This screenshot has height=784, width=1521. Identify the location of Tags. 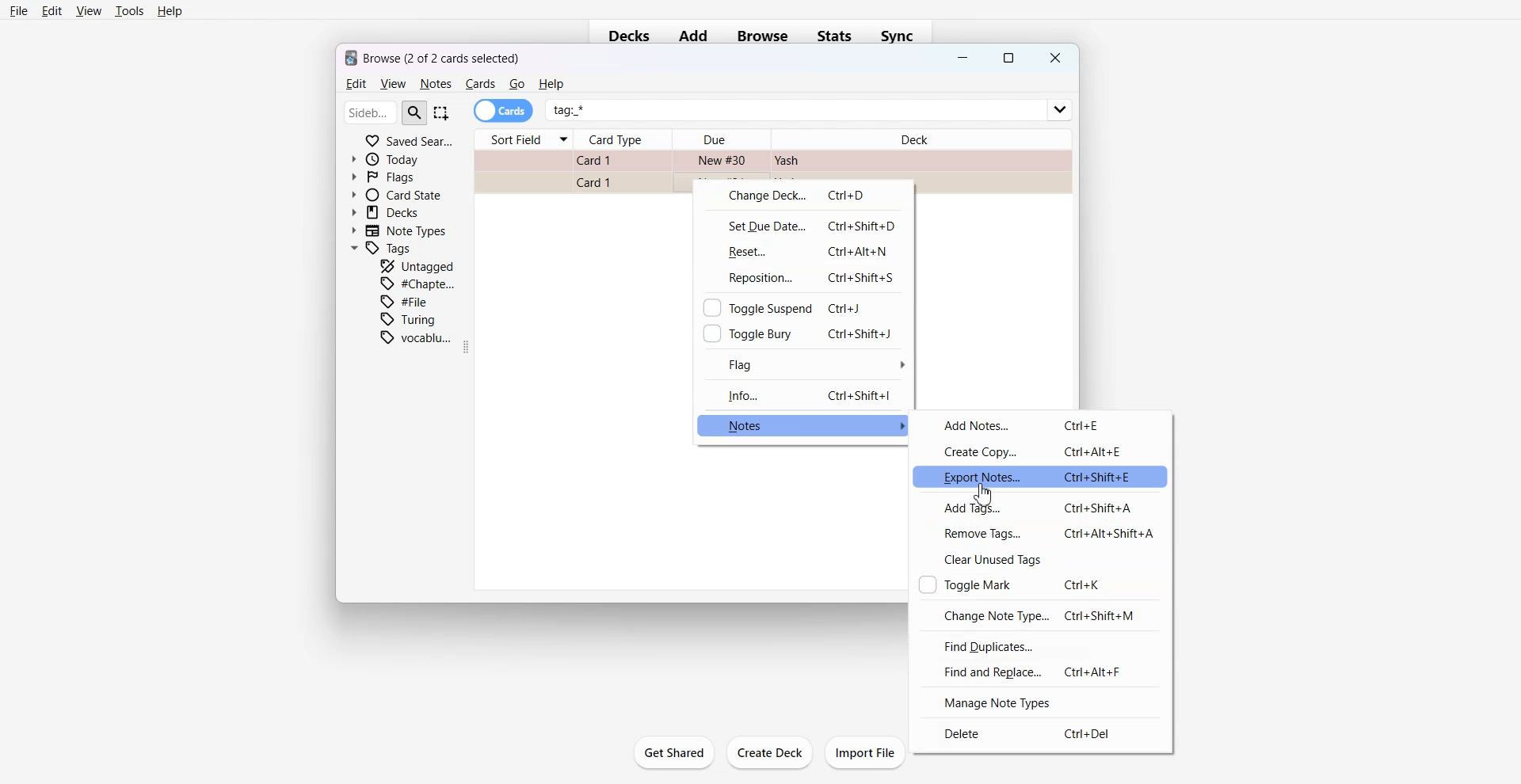
(383, 249).